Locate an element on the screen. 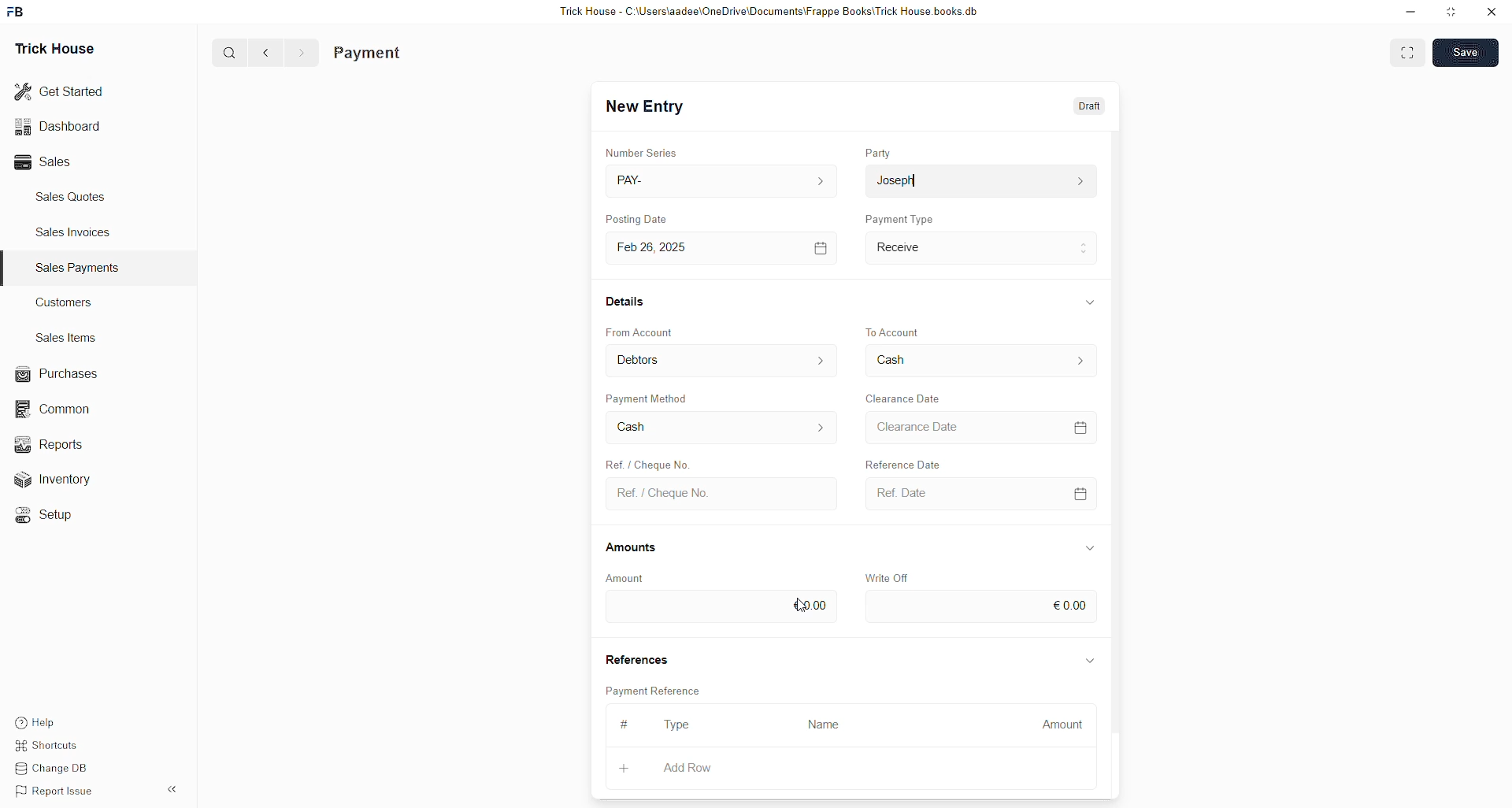 The height and width of the screenshot is (808, 1512). Show/Hide is located at coordinates (1091, 302).